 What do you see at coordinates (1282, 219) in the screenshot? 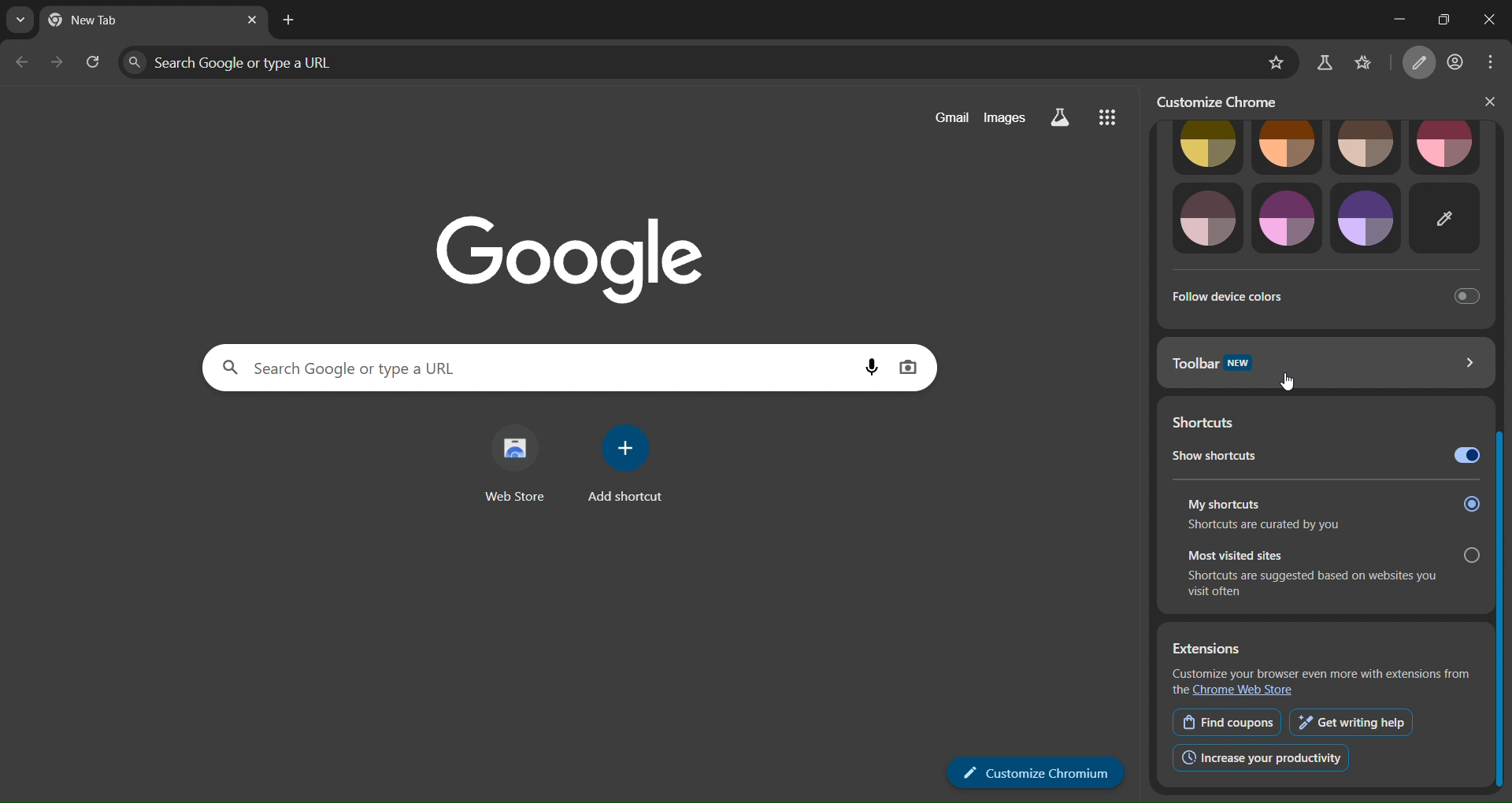
I see `image` at bounding box center [1282, 219].